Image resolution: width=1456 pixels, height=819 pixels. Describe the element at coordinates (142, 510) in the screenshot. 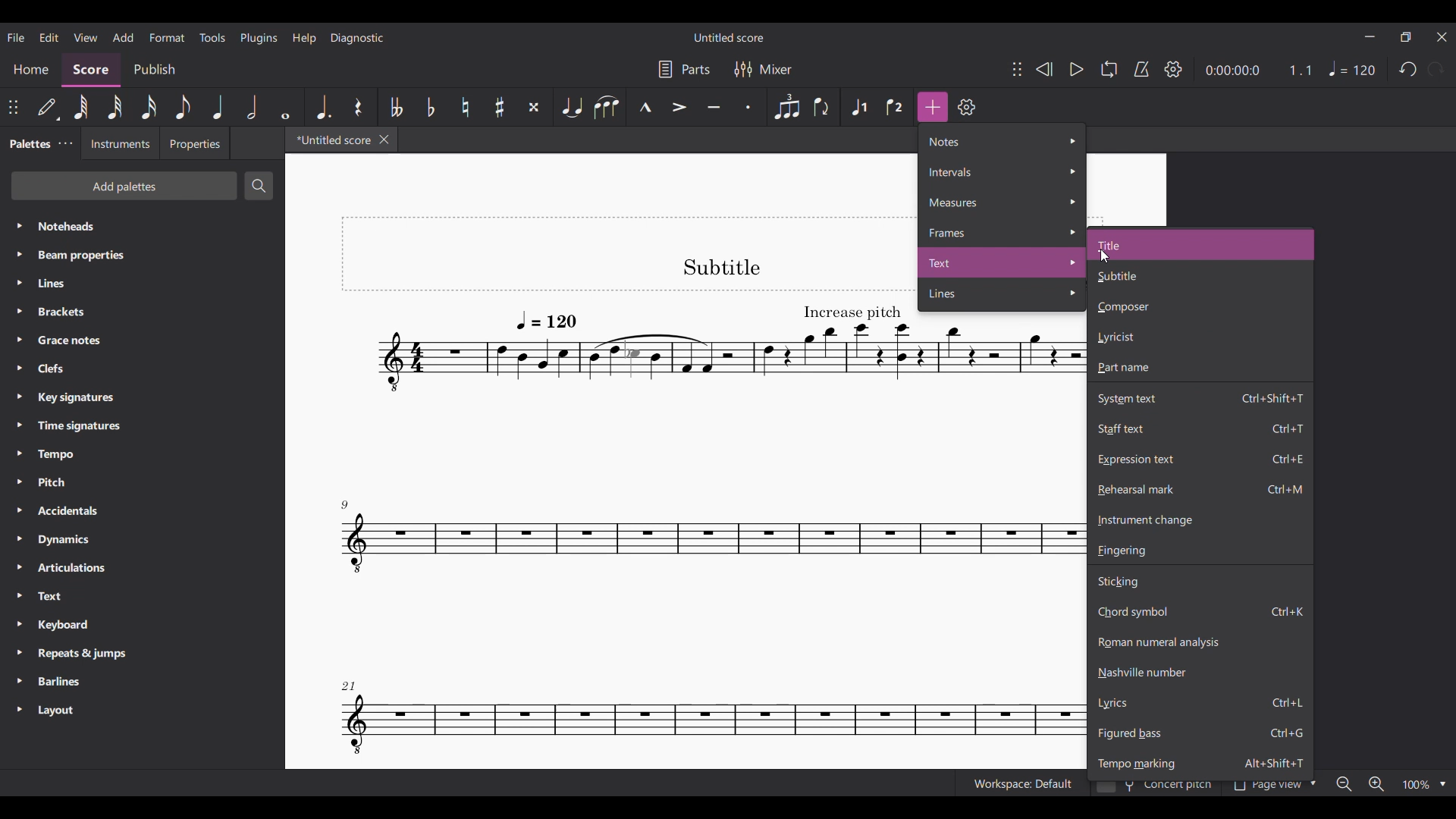

I see `Accidentals` at that location.